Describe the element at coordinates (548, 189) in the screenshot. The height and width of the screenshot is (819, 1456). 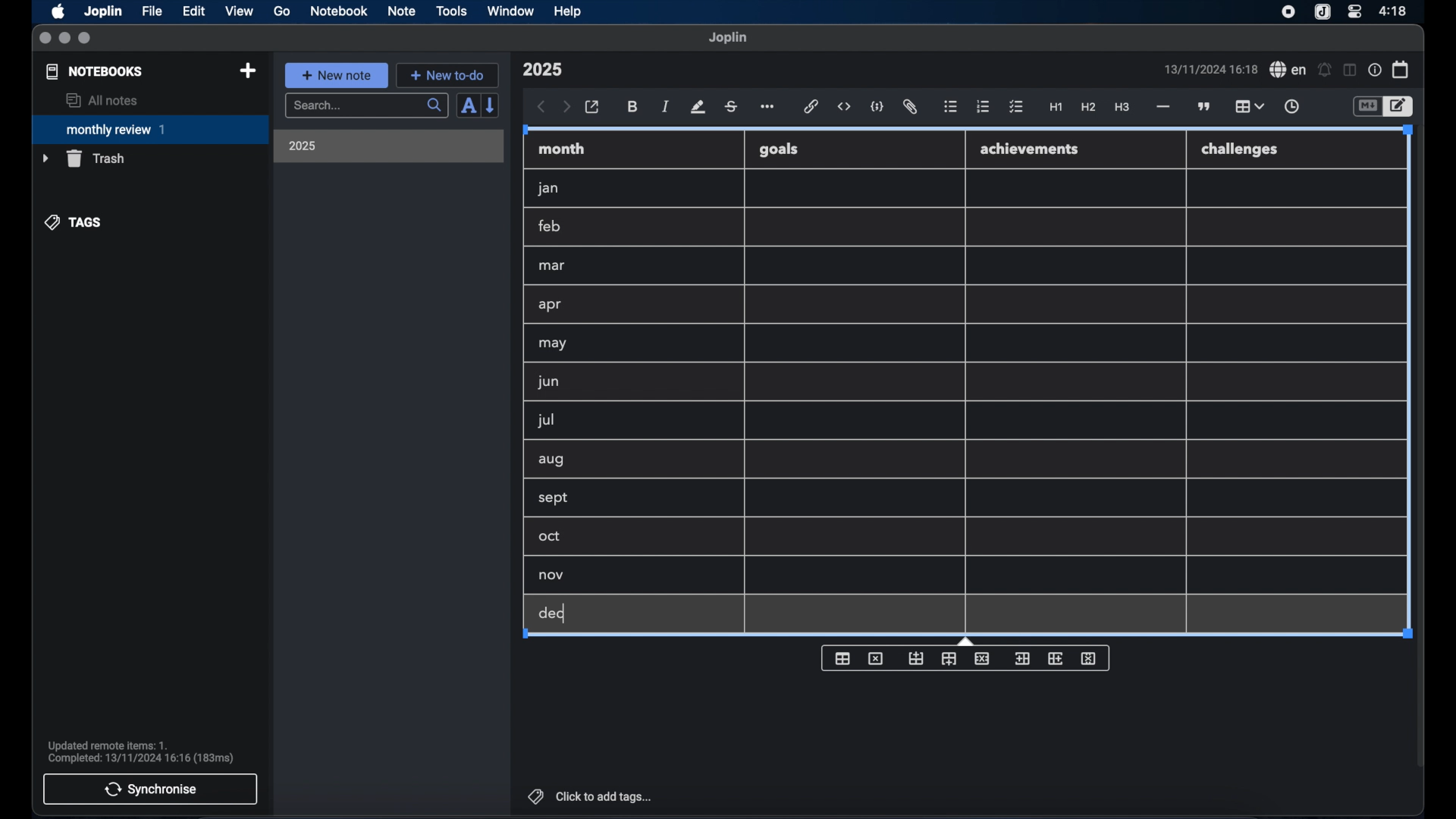
I see `jan` at that location.